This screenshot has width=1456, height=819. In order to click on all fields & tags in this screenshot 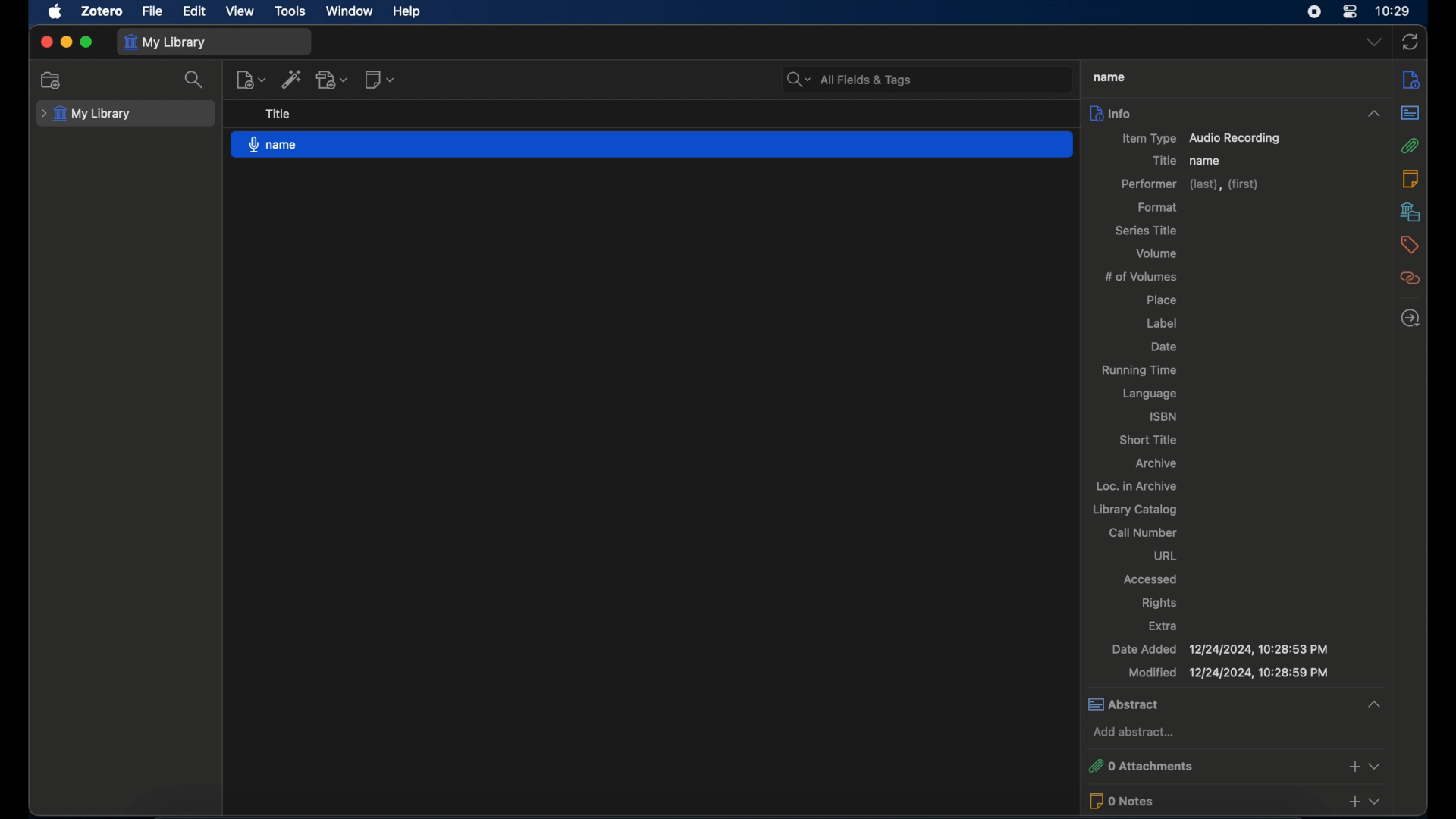, I will do `click(848, 79)`.